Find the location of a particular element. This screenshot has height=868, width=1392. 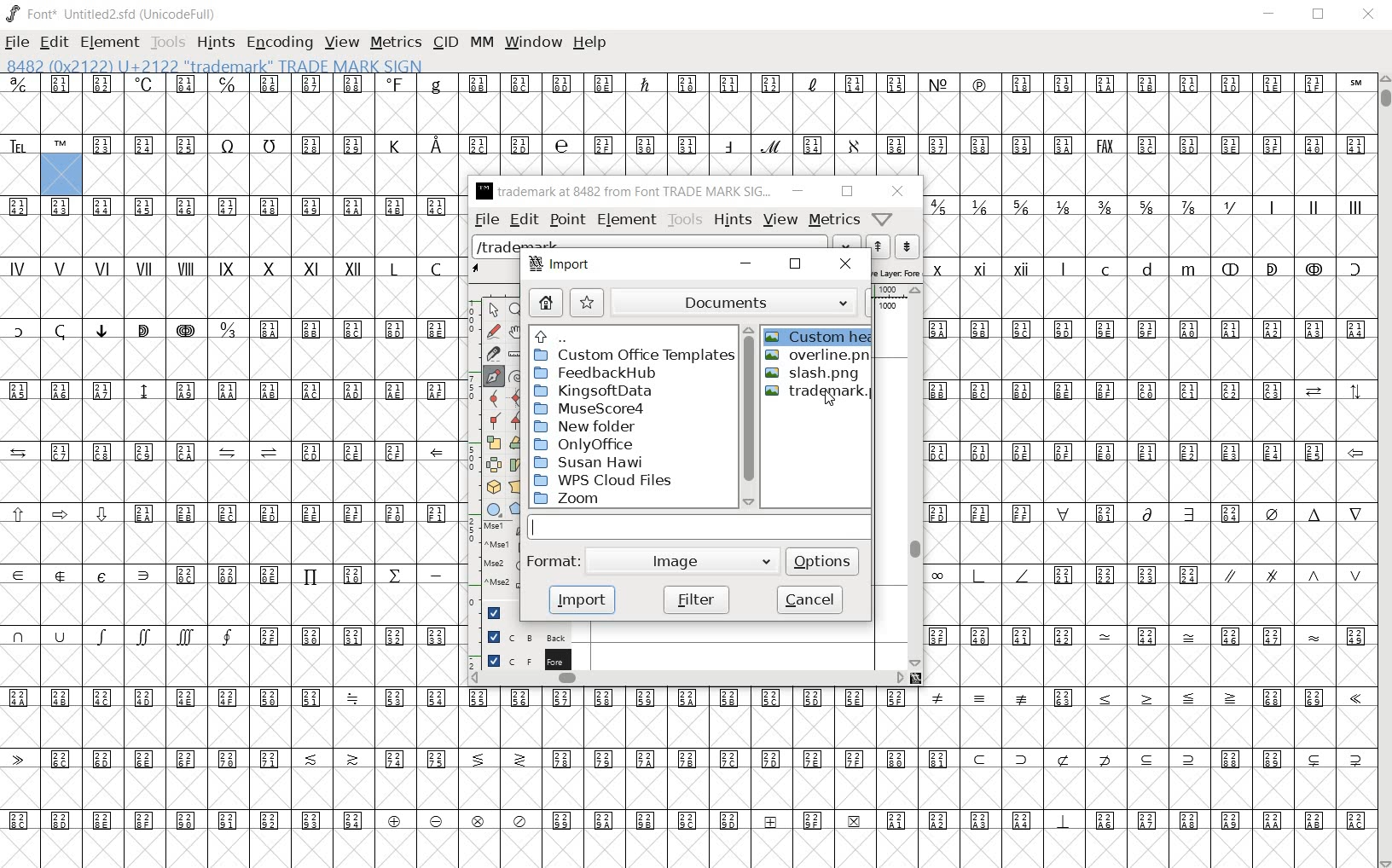

Susan Hawi is located at coordinates (590, 462).